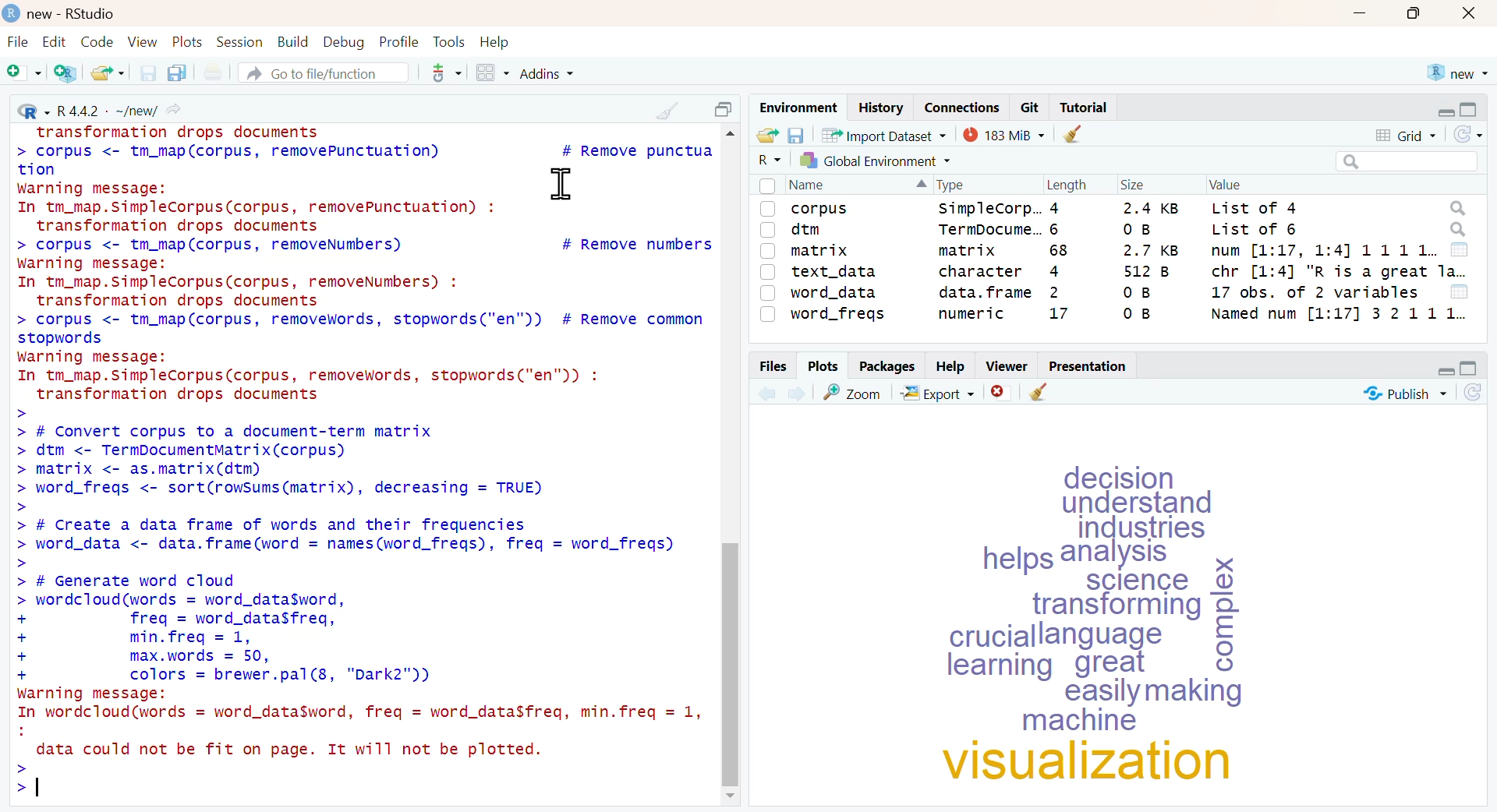  I want to click on Export, so click(940, 393).